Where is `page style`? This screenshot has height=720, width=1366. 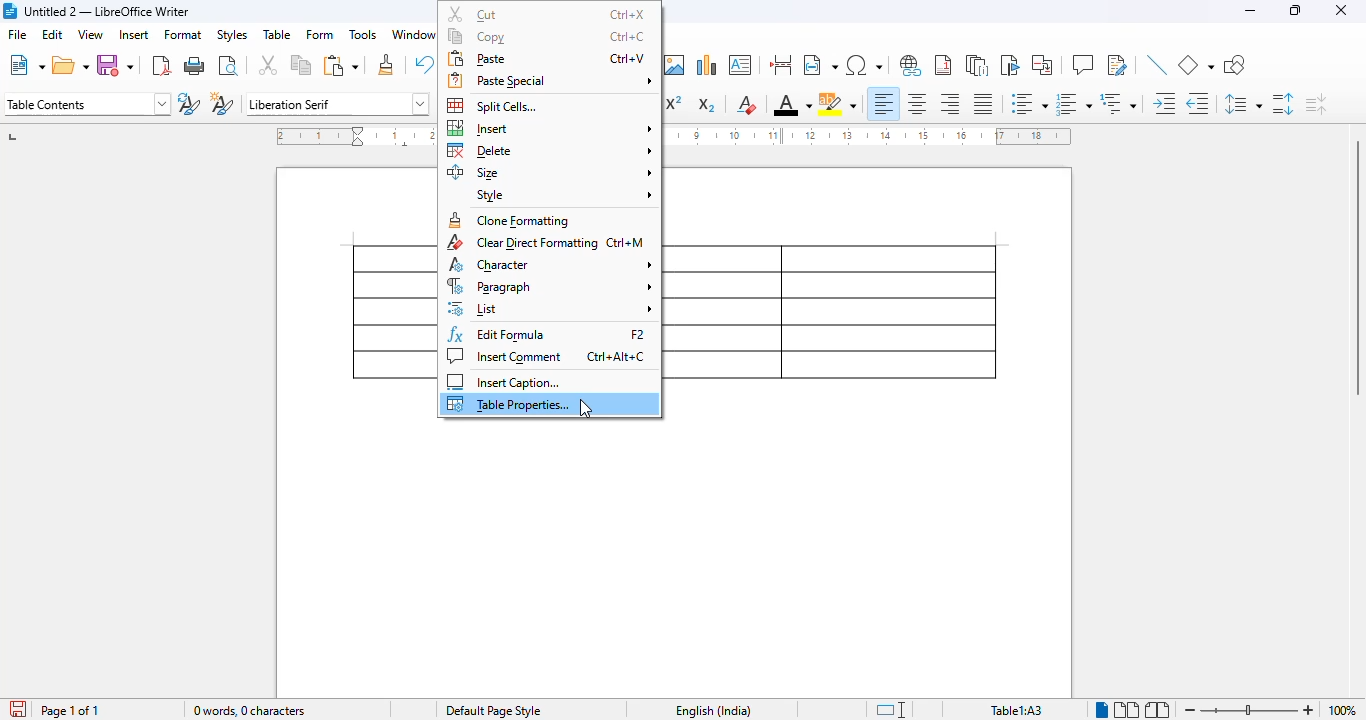
page style is located at coordinates (494, 711).